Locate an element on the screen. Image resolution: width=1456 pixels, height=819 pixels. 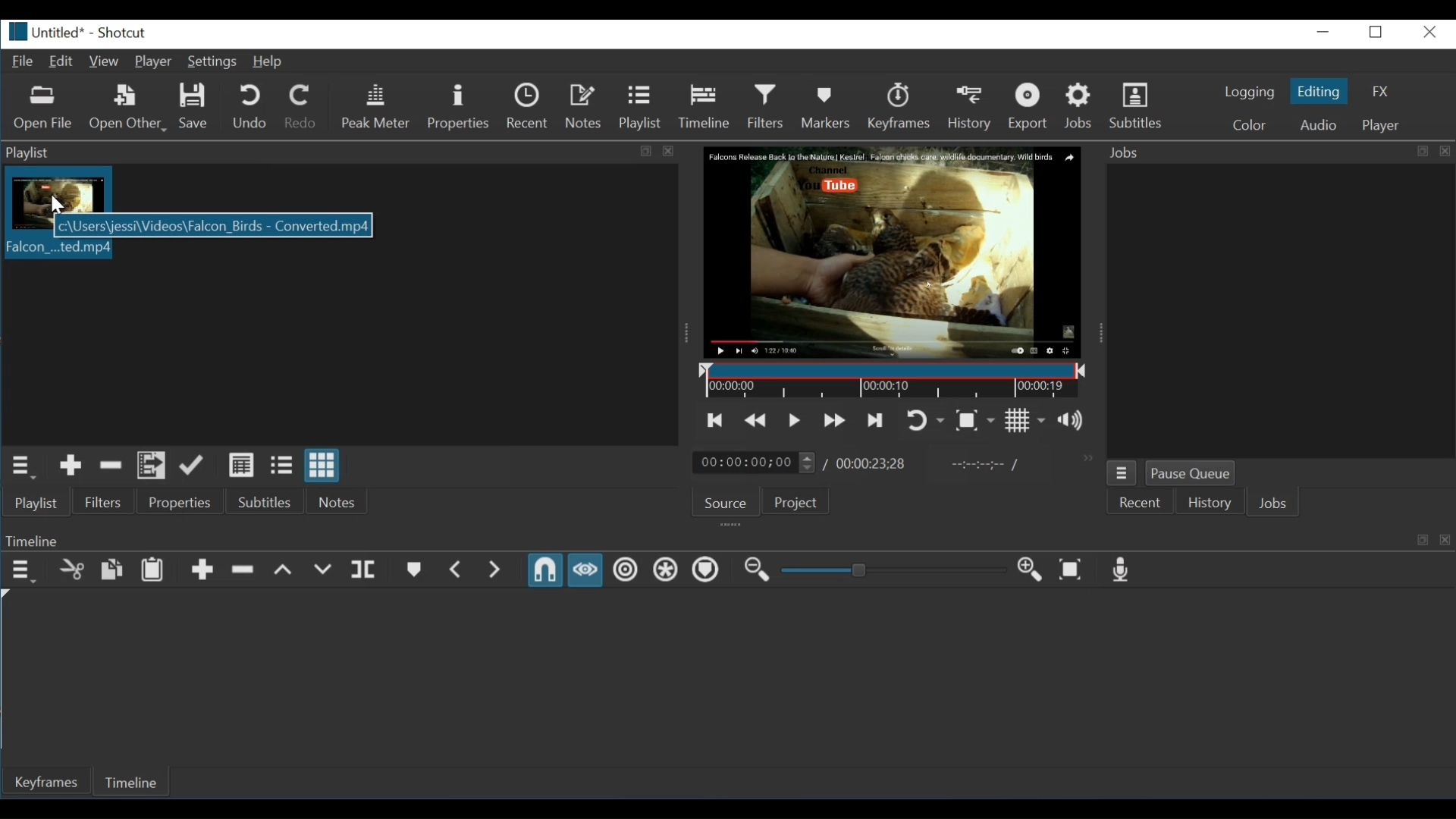
Jobs Panel is located at coordinates (1277, 152).